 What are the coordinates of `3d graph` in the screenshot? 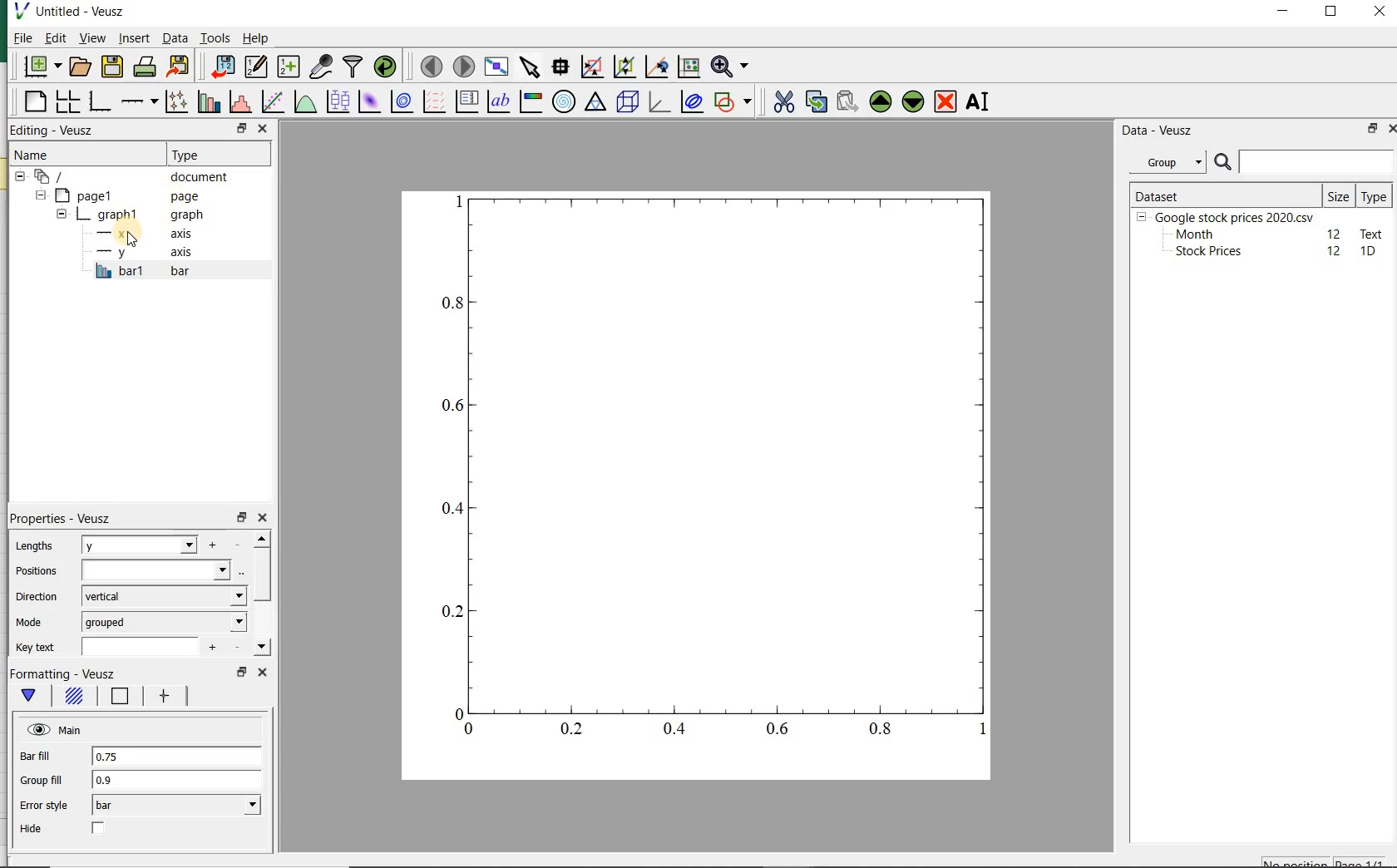 It's located at (659, 103).